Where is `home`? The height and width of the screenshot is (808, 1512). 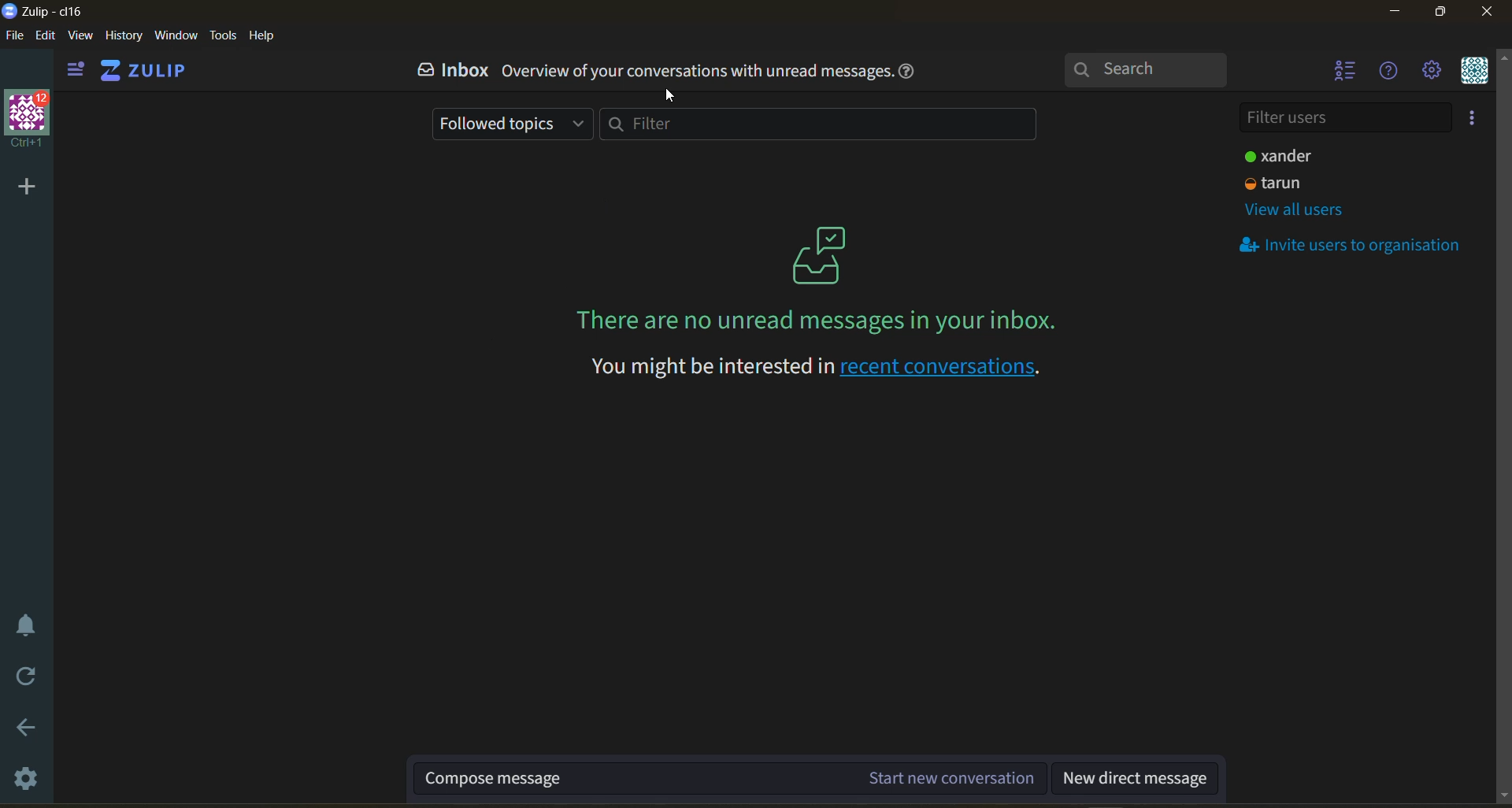 home is located at coordinates (152, 72).